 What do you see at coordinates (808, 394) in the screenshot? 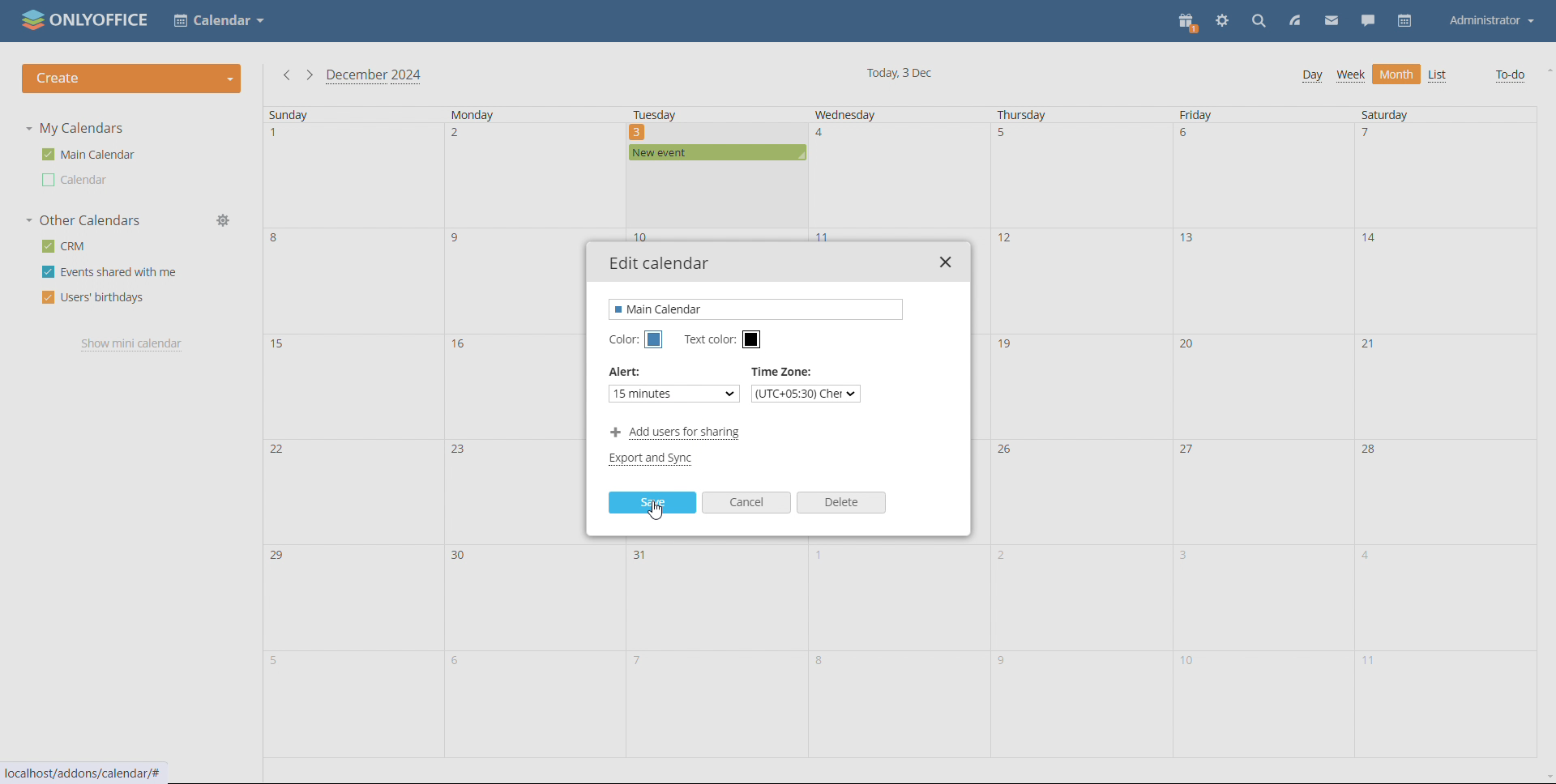
I see `UTC 5:50` at bounding box center [808, 394].